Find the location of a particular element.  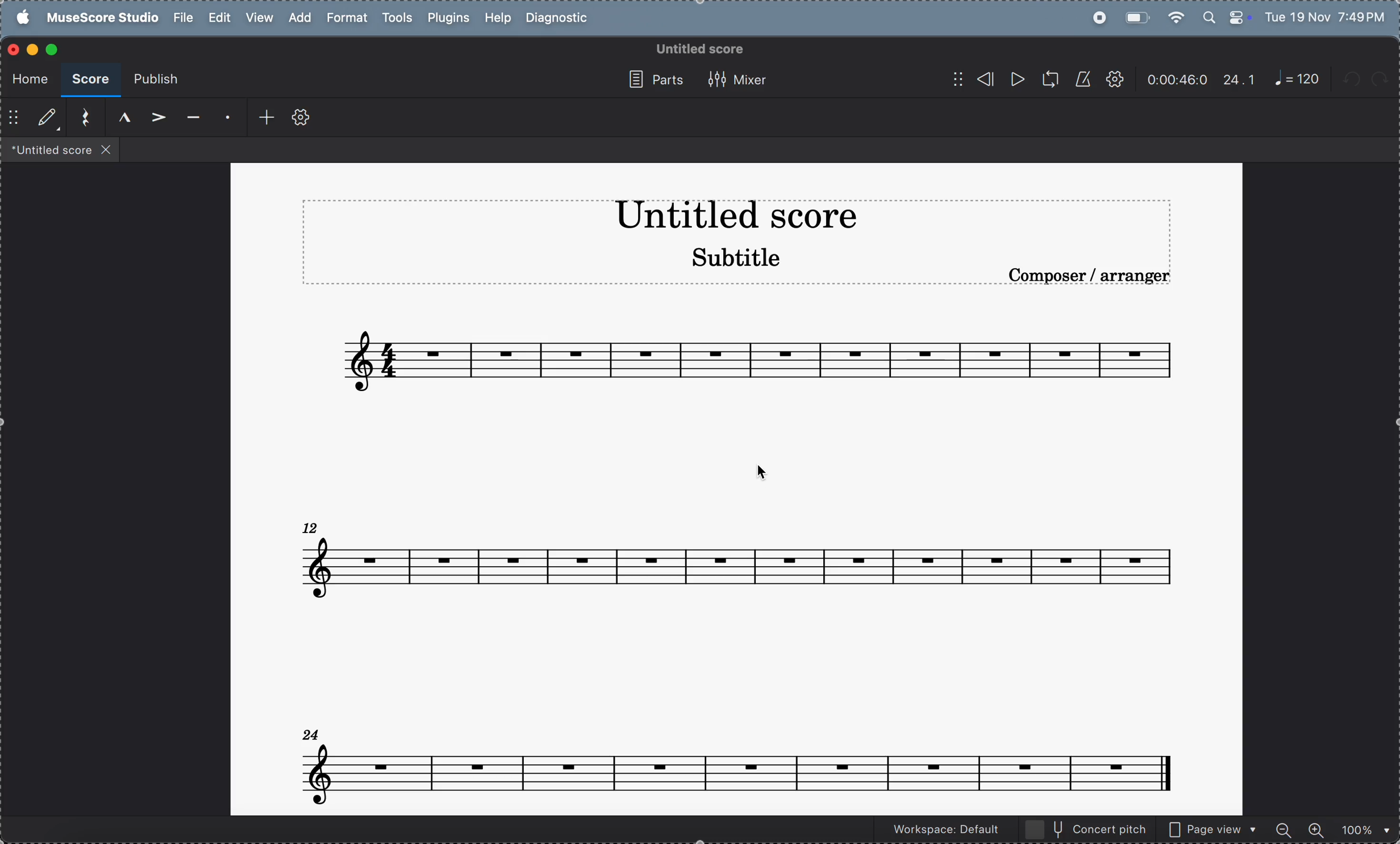

reset is located at coordinates (82, 118).